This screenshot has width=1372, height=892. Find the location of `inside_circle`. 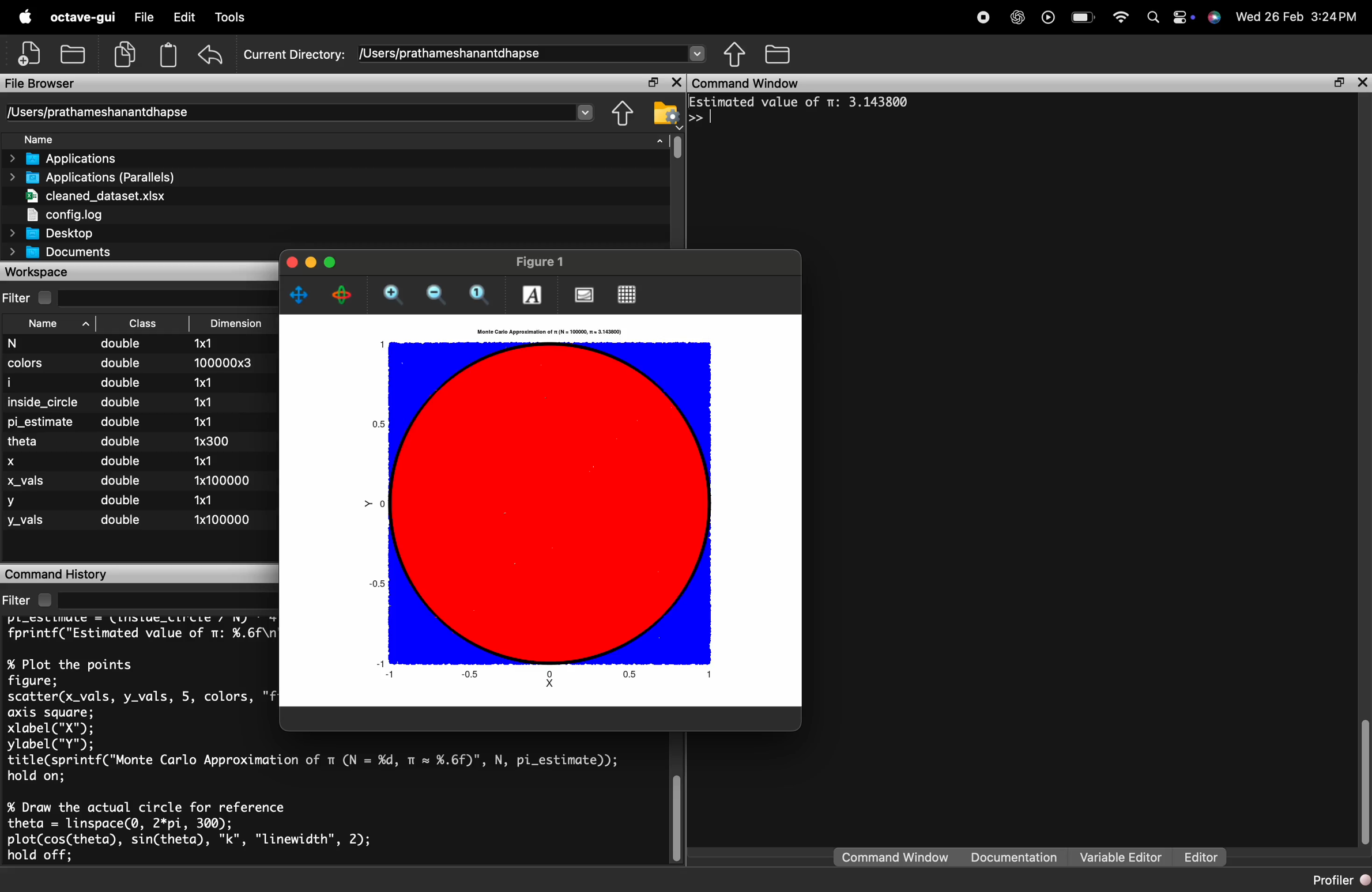

inside_circle is located at coordinates (43, 400).